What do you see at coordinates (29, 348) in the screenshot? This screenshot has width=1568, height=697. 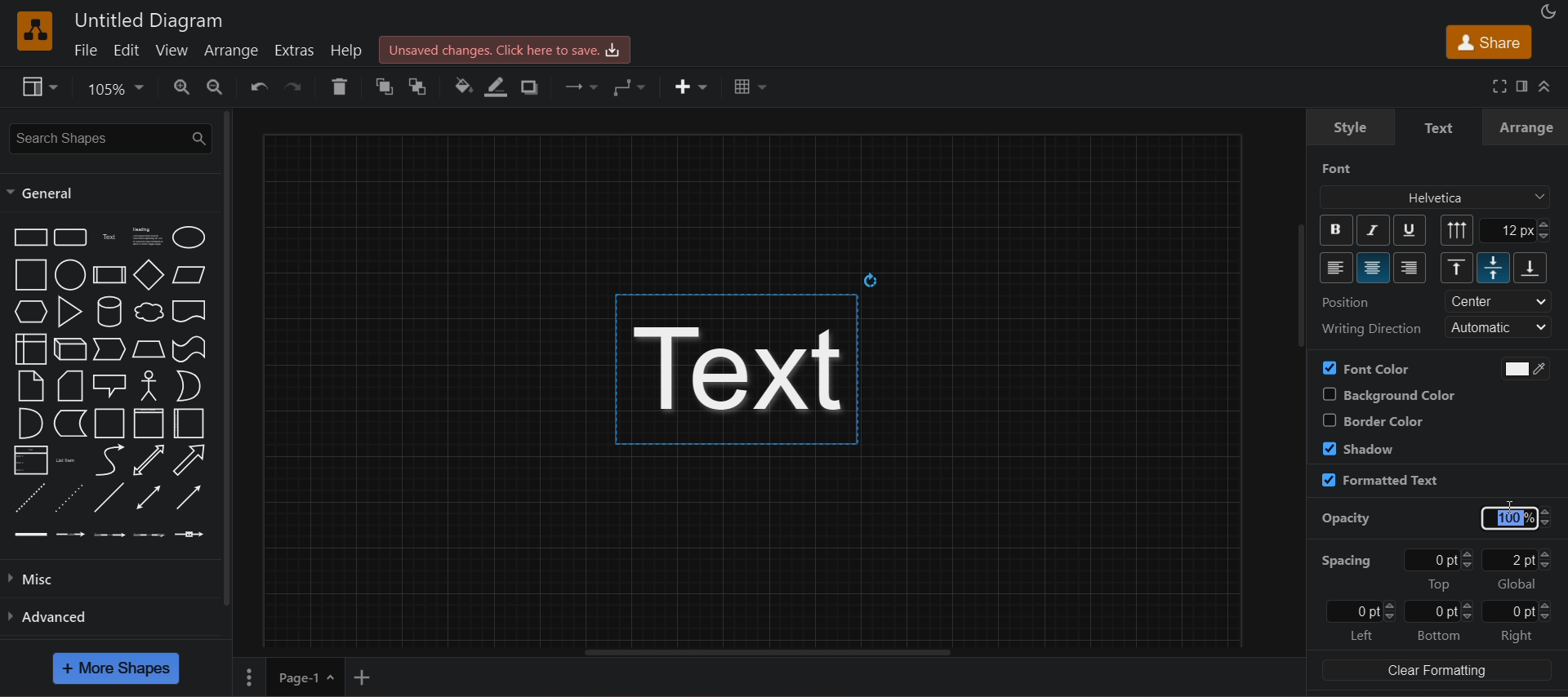 I see `internal storage` at bounding box center [29, 348].